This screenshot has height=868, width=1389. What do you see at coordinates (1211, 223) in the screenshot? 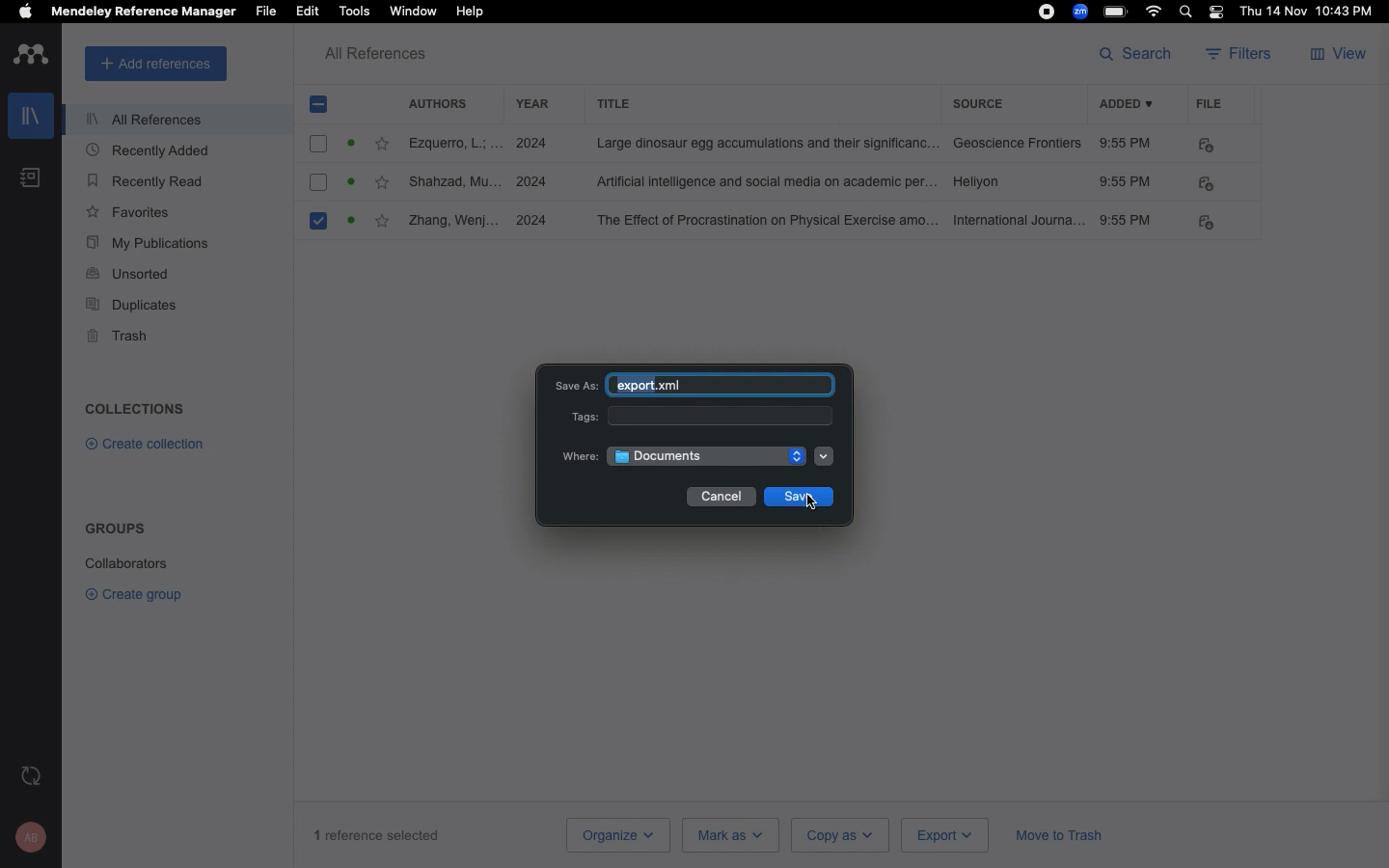
I see `PDF` at bounding box center [1211, 223].